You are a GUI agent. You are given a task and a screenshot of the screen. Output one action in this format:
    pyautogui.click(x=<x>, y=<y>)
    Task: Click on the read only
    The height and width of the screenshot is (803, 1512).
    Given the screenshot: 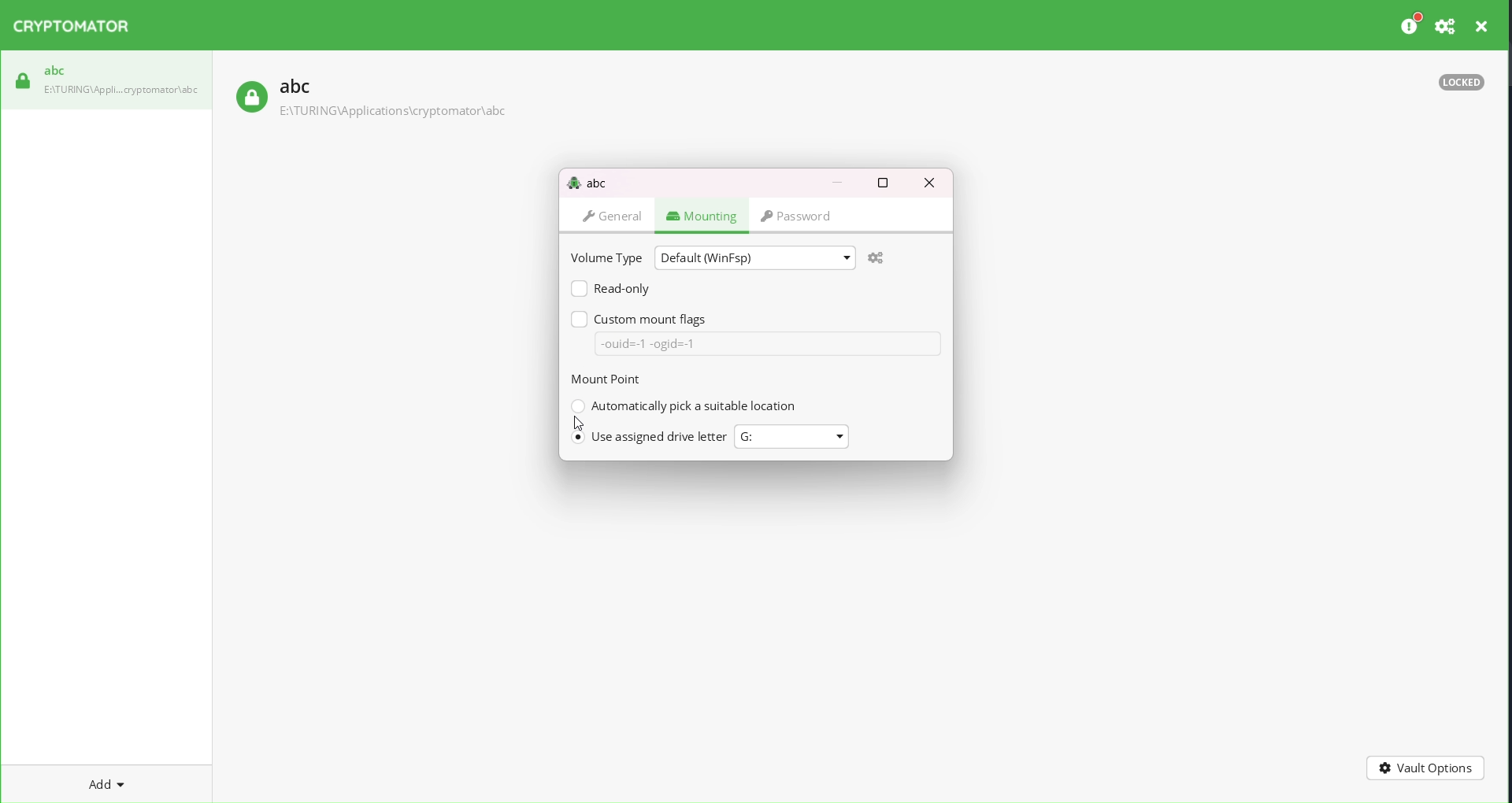 What is the action you would take?
    pyautogui.click(x=609, y=289)
    